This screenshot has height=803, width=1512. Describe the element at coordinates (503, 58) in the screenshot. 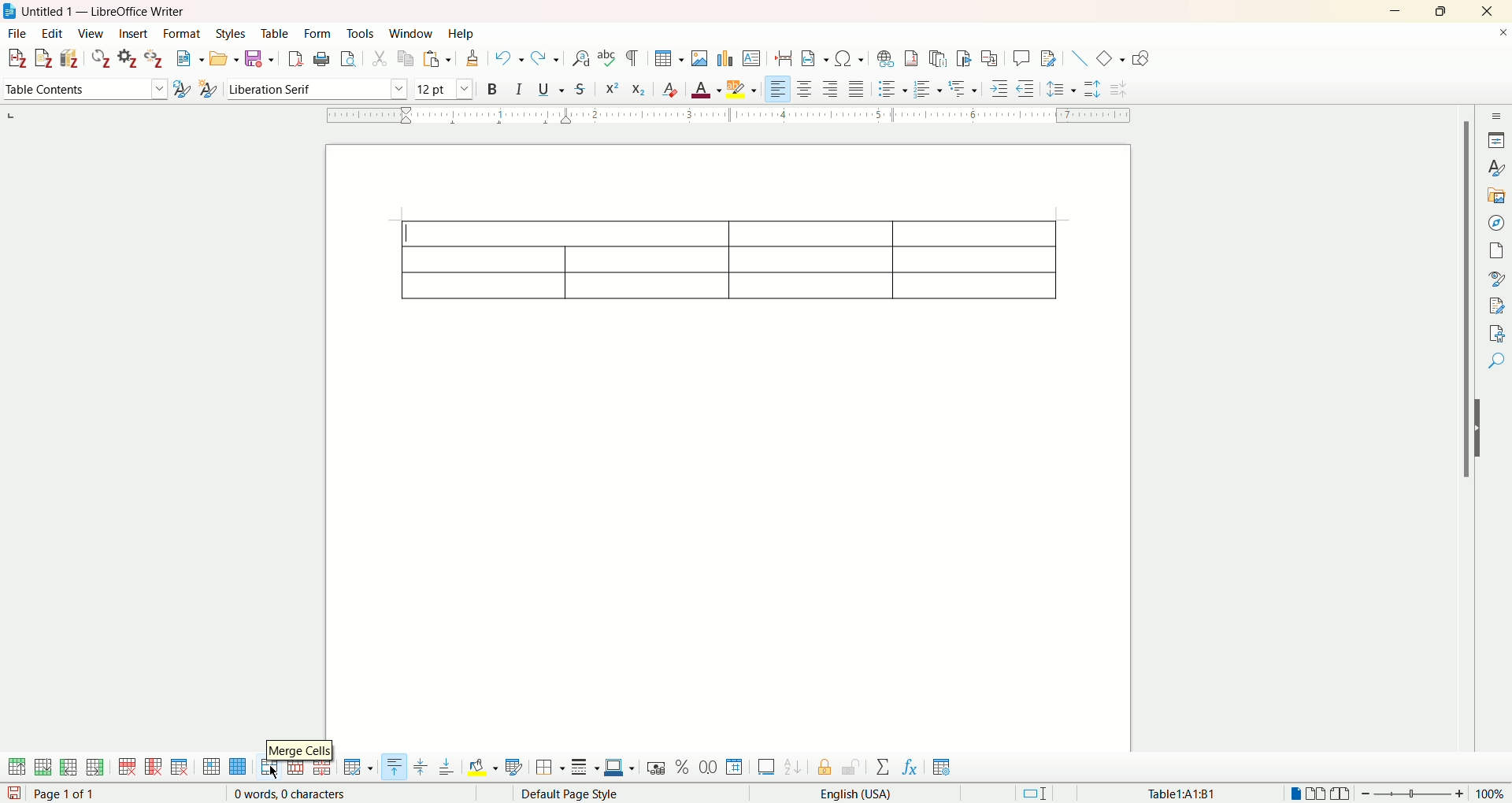

I see `undo` at that location.